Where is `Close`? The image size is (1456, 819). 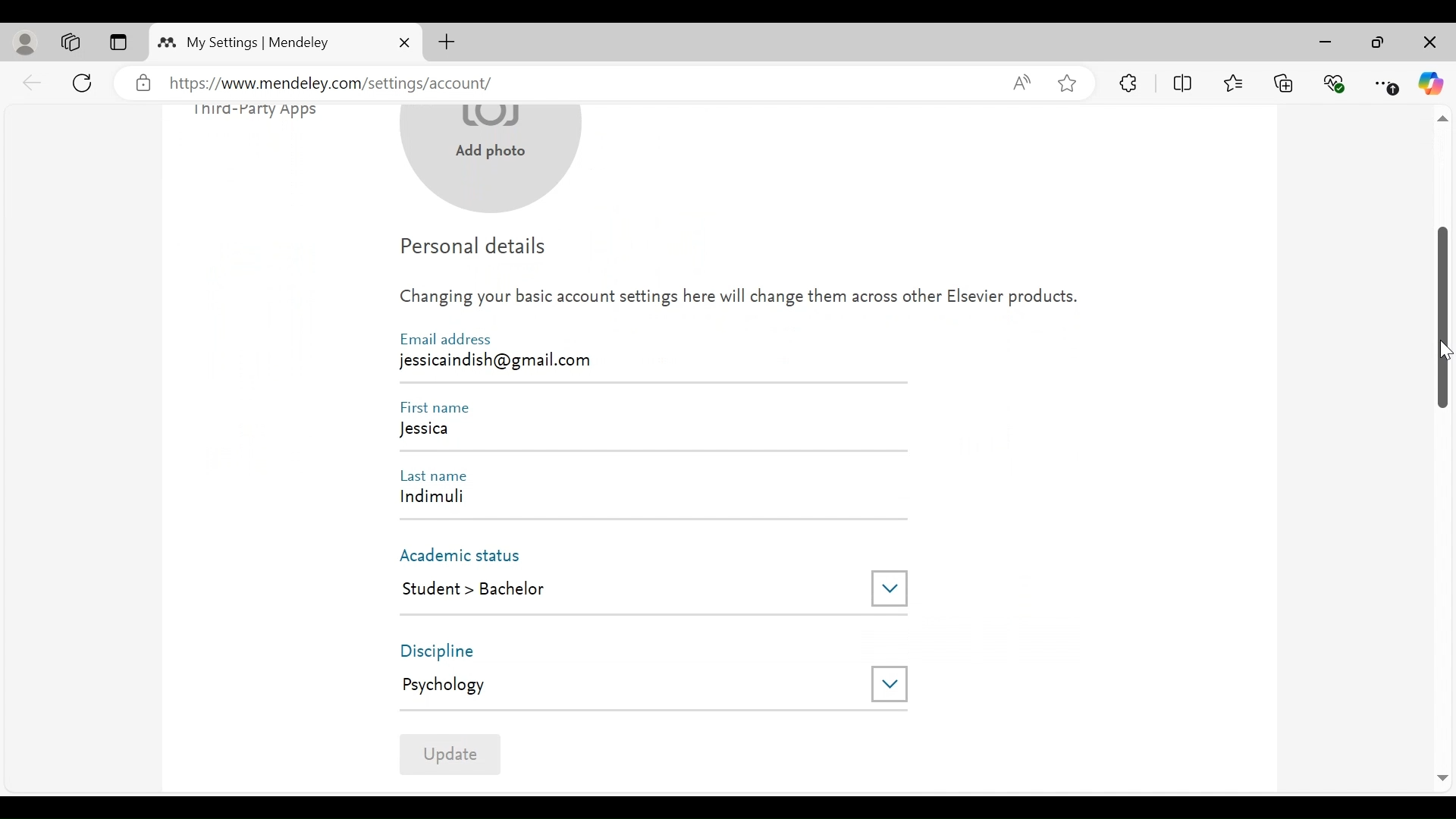 Close is located at coordinates (1428, 43).